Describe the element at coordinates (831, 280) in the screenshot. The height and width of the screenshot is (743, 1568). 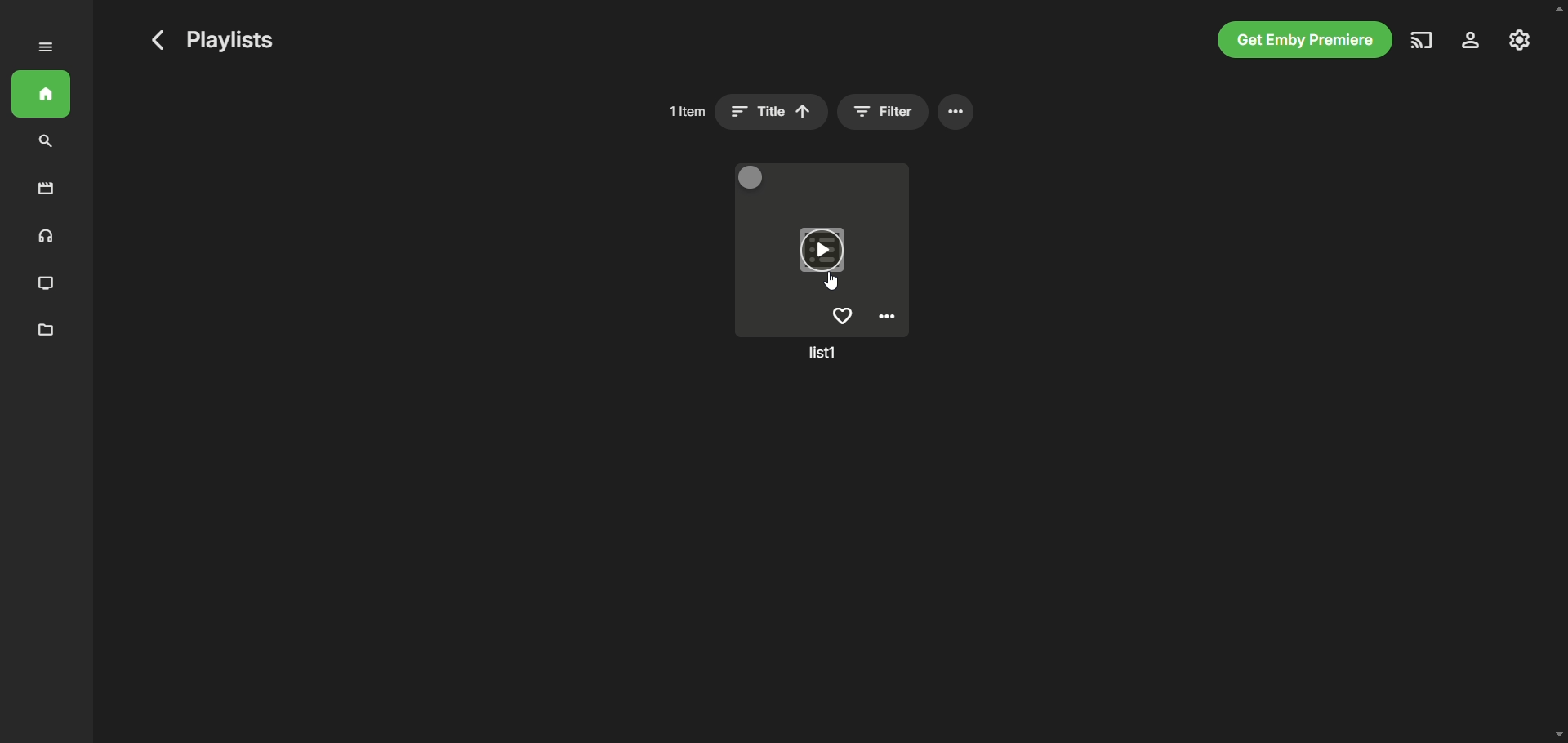
I see `Cursor` at that location.